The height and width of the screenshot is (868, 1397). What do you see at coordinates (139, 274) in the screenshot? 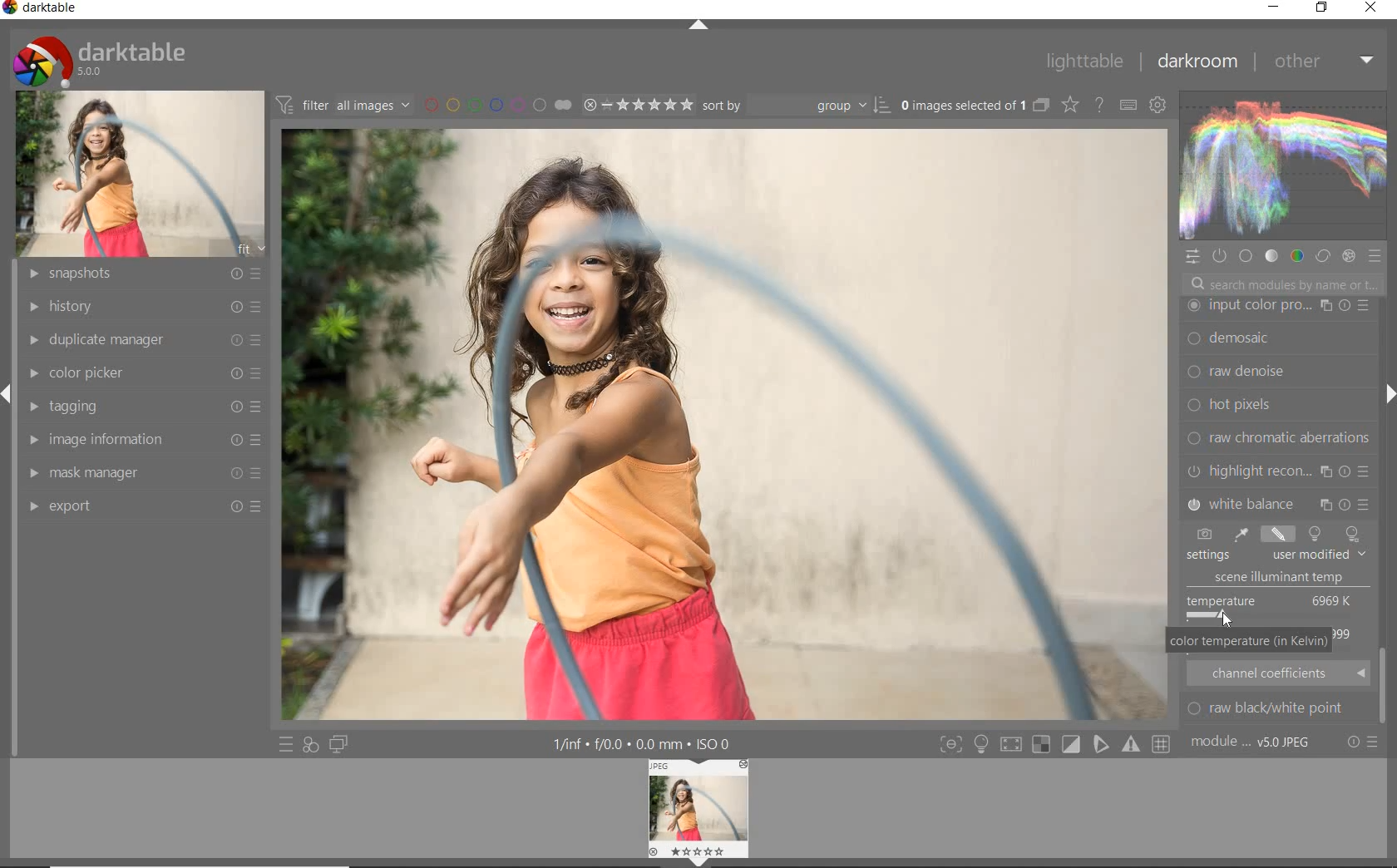
I see `snapshots` at bounding box center [139, 274].